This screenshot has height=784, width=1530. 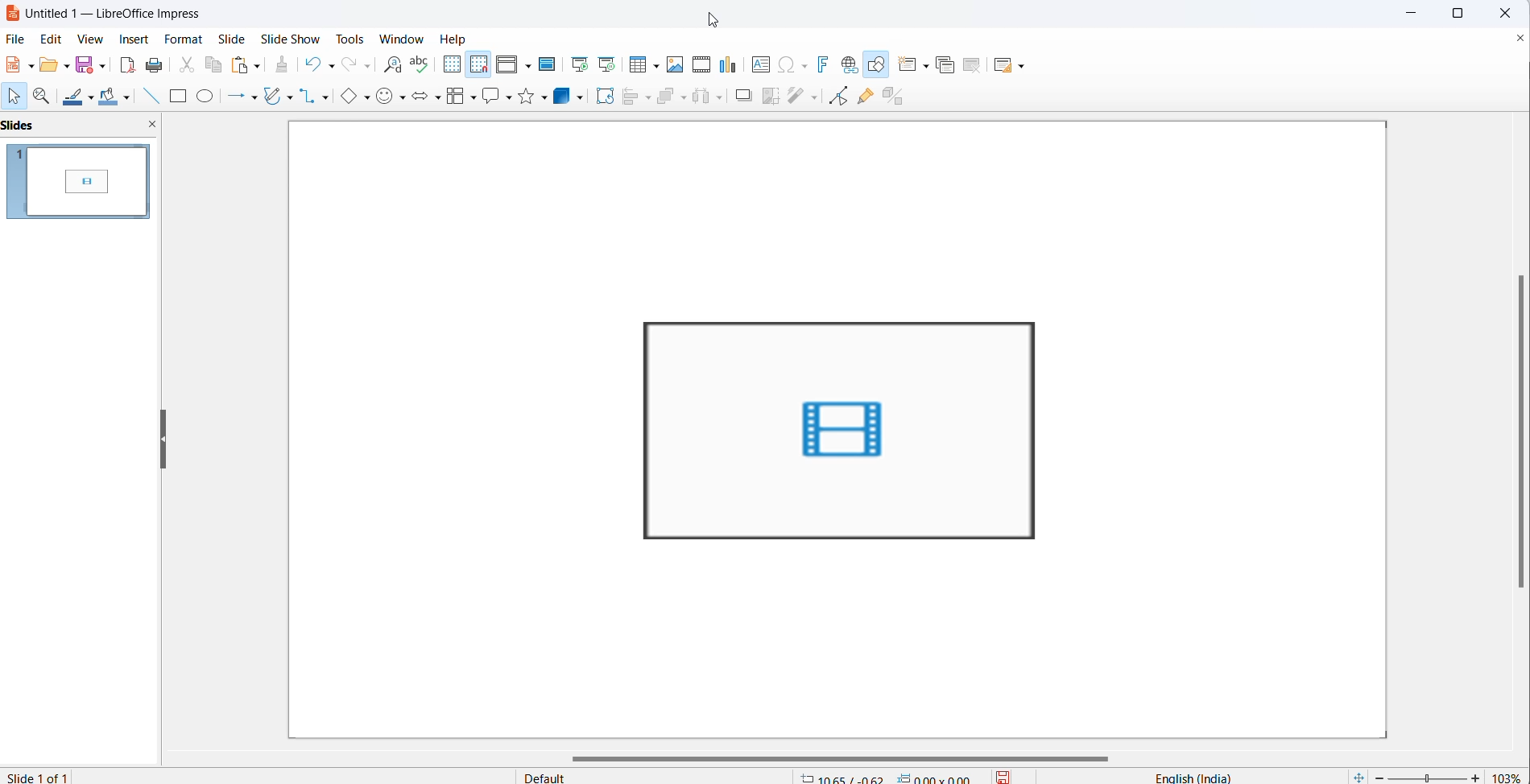 I want to click on insert special characters, so click(x=786, y=66).